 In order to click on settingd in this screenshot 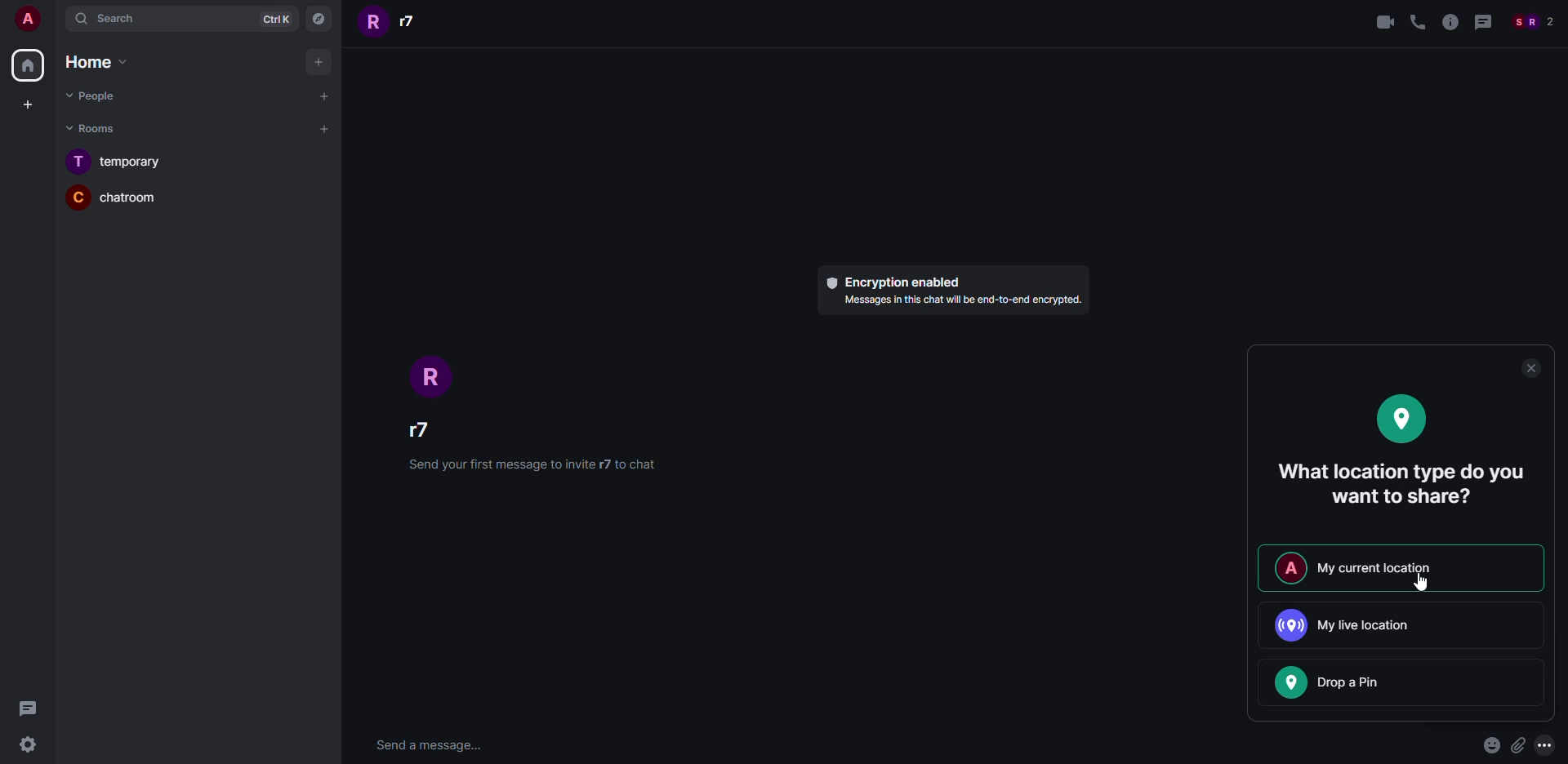, I will do `click(25, 747)`.